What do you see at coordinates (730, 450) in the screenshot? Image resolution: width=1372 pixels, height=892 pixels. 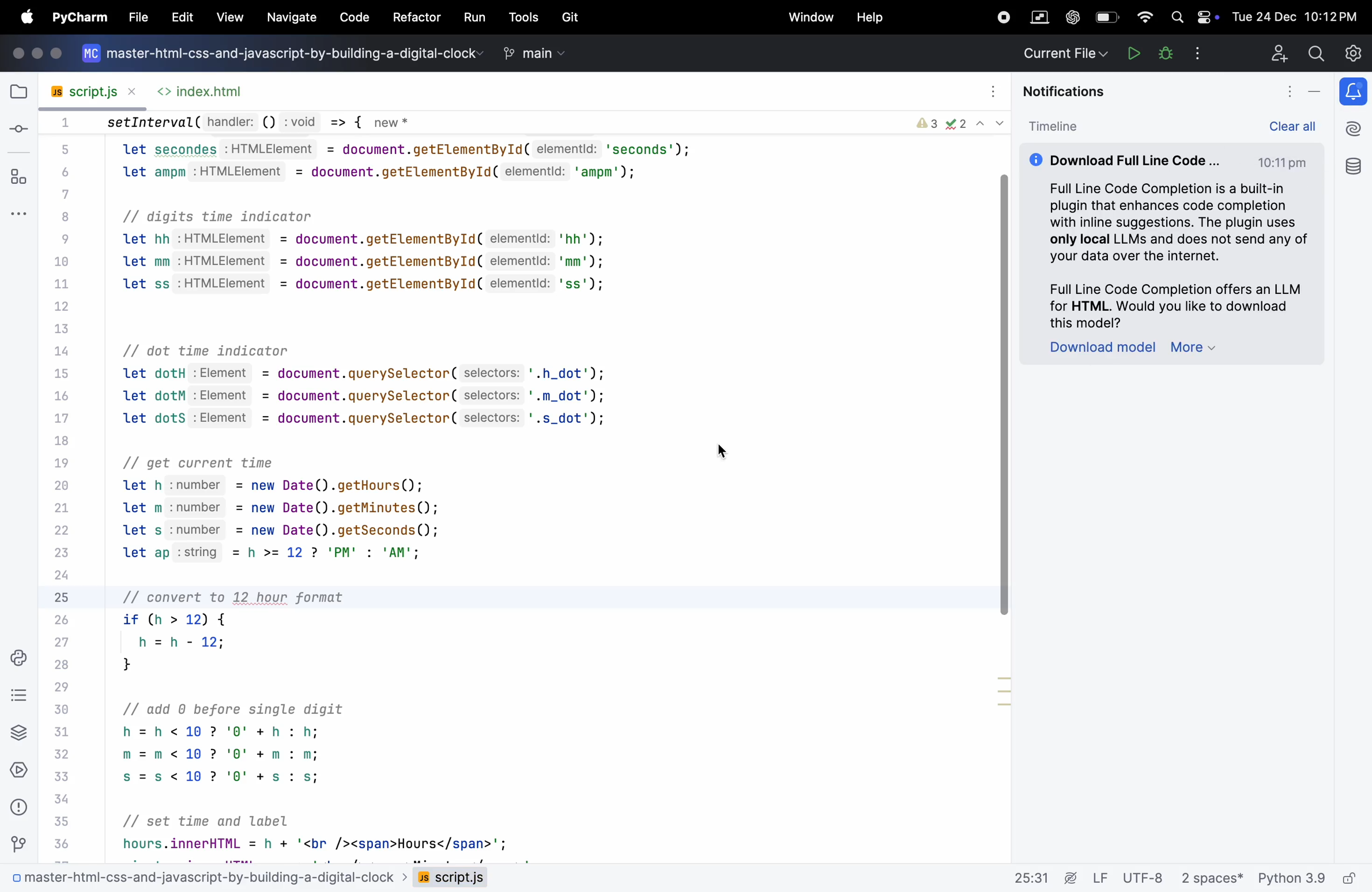 I see `cursor` at bounding box center [730, 450].